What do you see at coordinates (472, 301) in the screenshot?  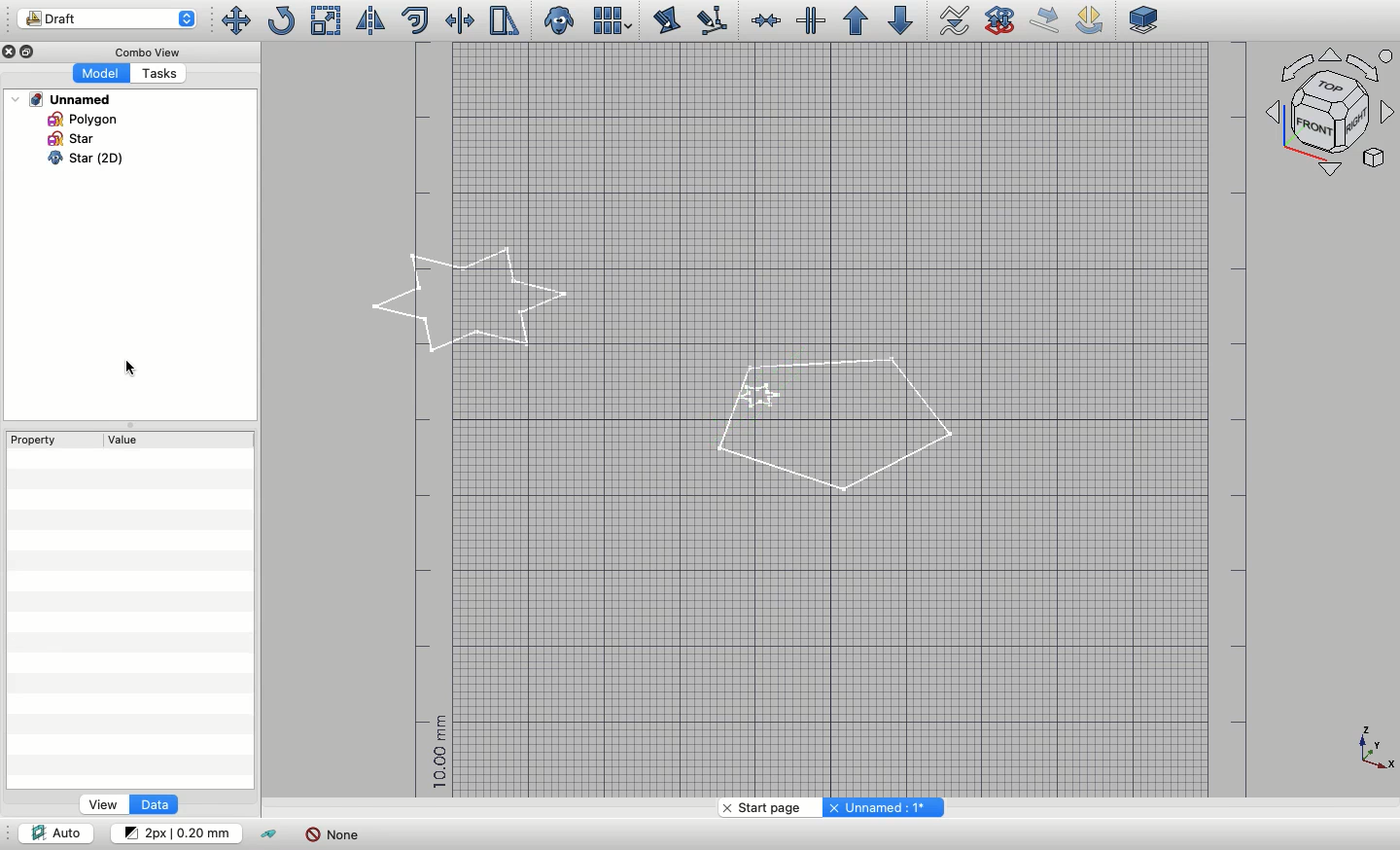 I see `Star selected` at bounding box center [472, 301].